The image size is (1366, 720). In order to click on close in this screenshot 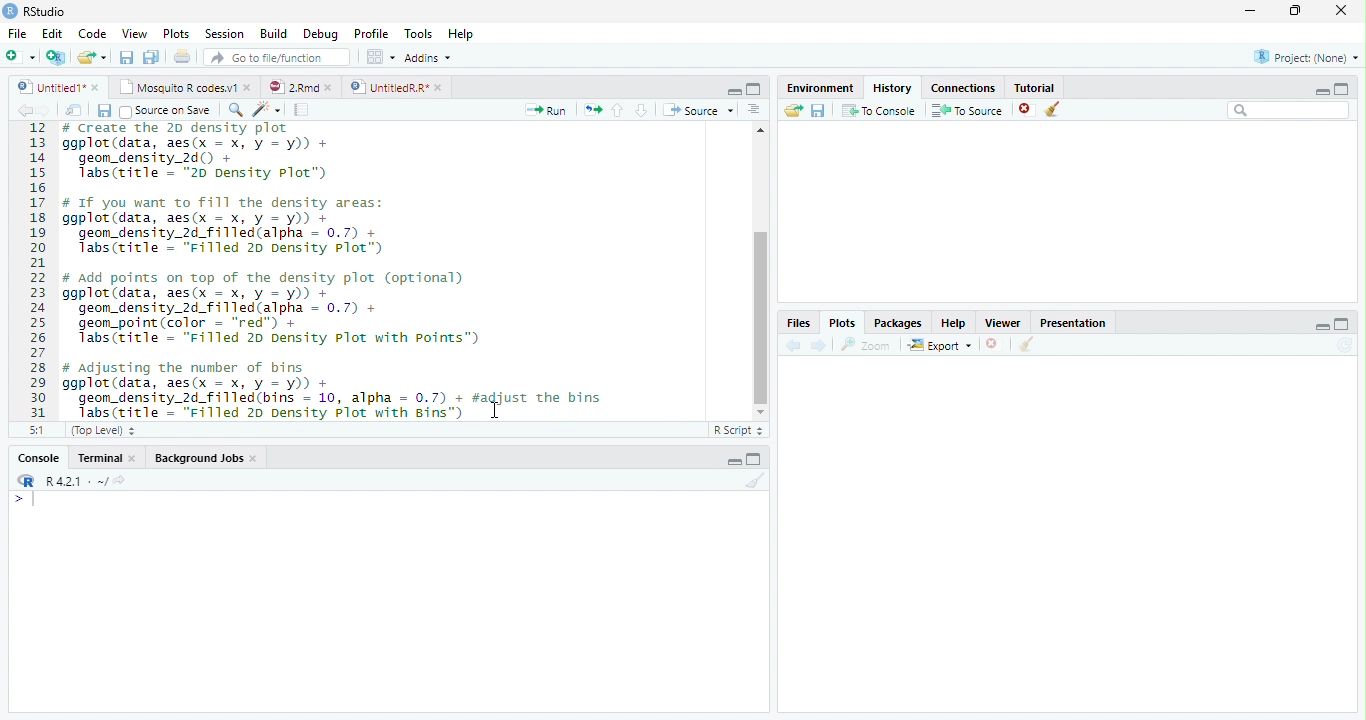, I will do `click(440, 87)`.